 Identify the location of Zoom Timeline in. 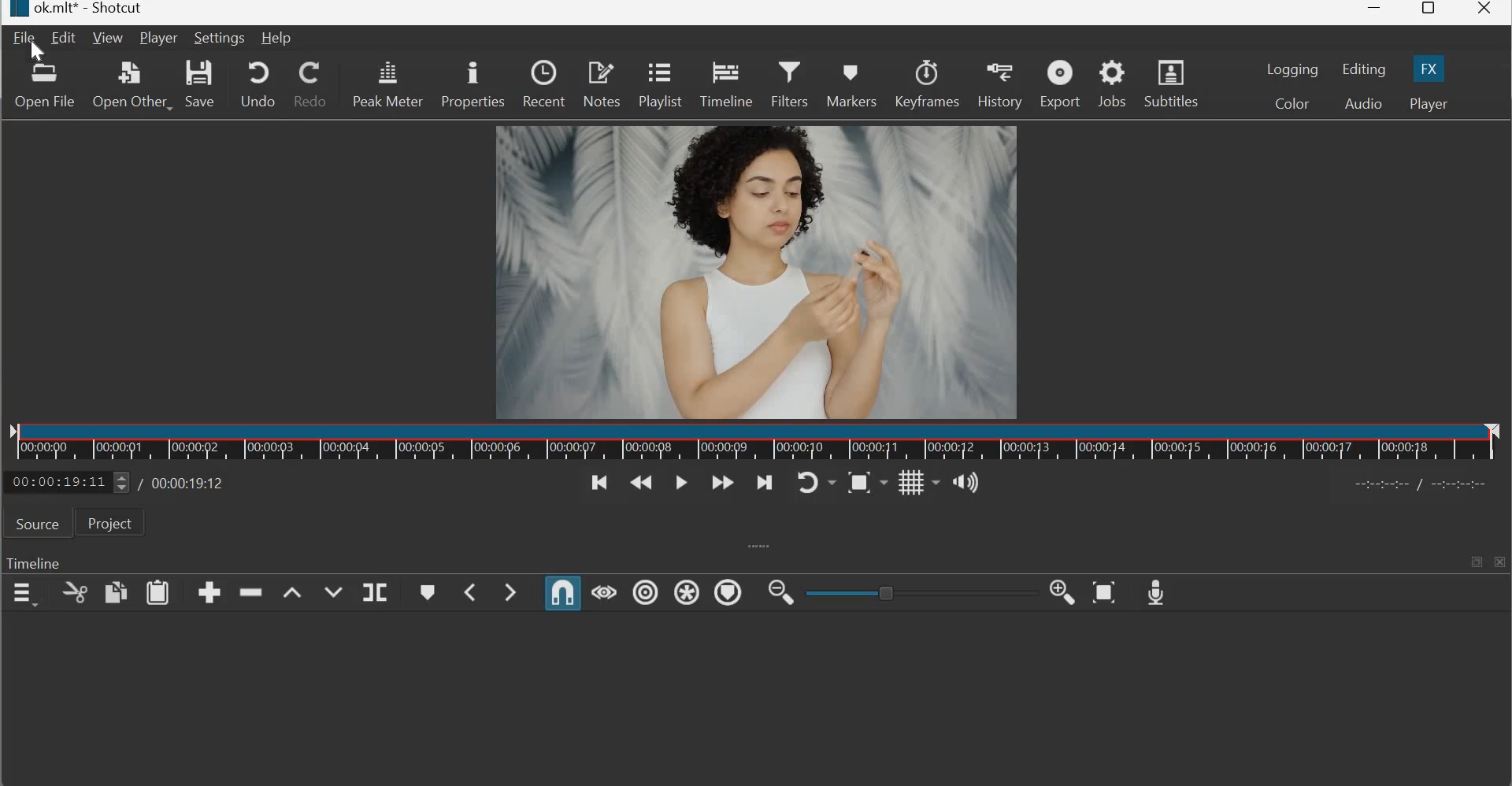
(1063, 593).